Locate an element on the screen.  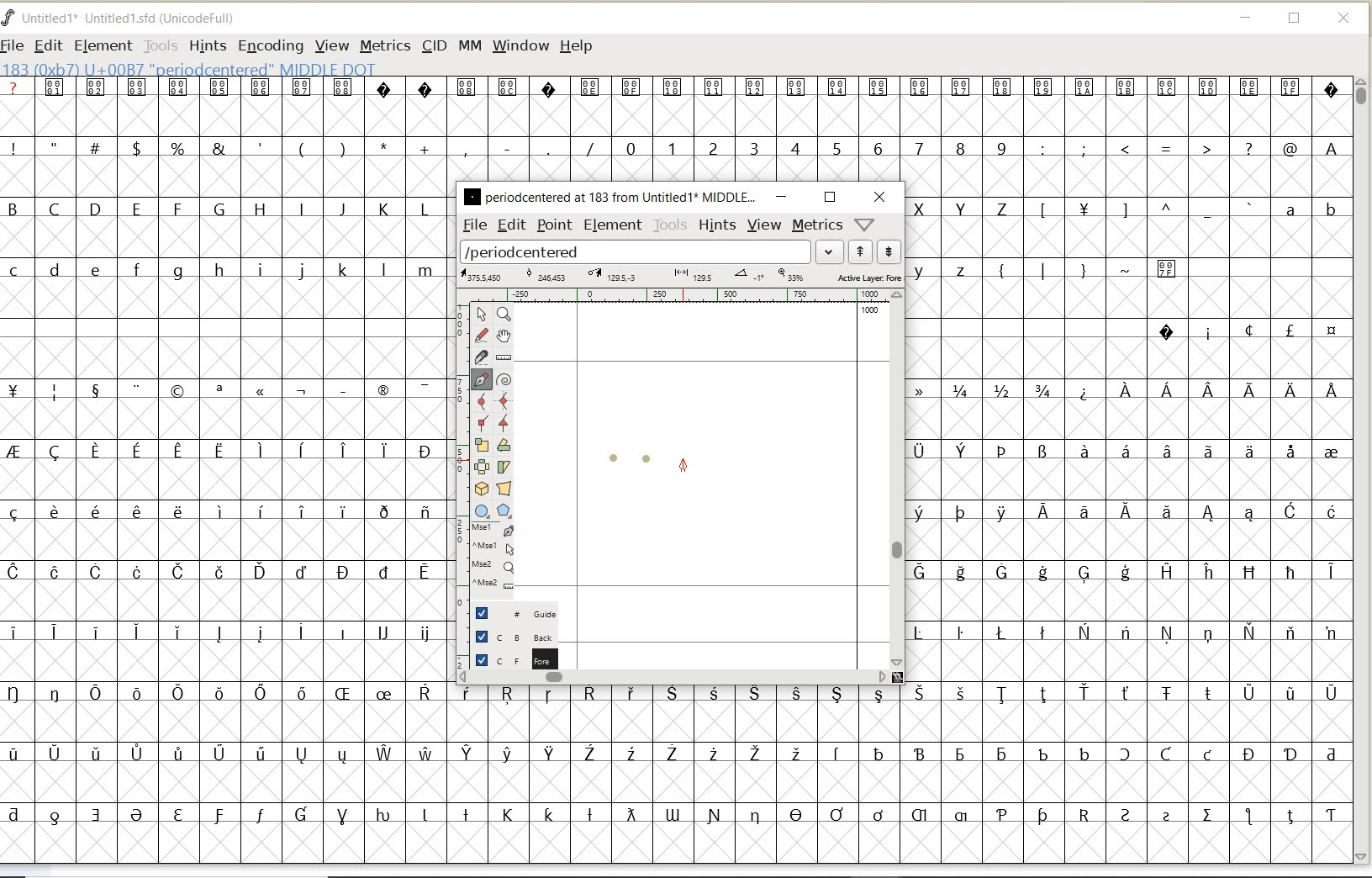
uppercase letters is located at coordinates (964, 208).